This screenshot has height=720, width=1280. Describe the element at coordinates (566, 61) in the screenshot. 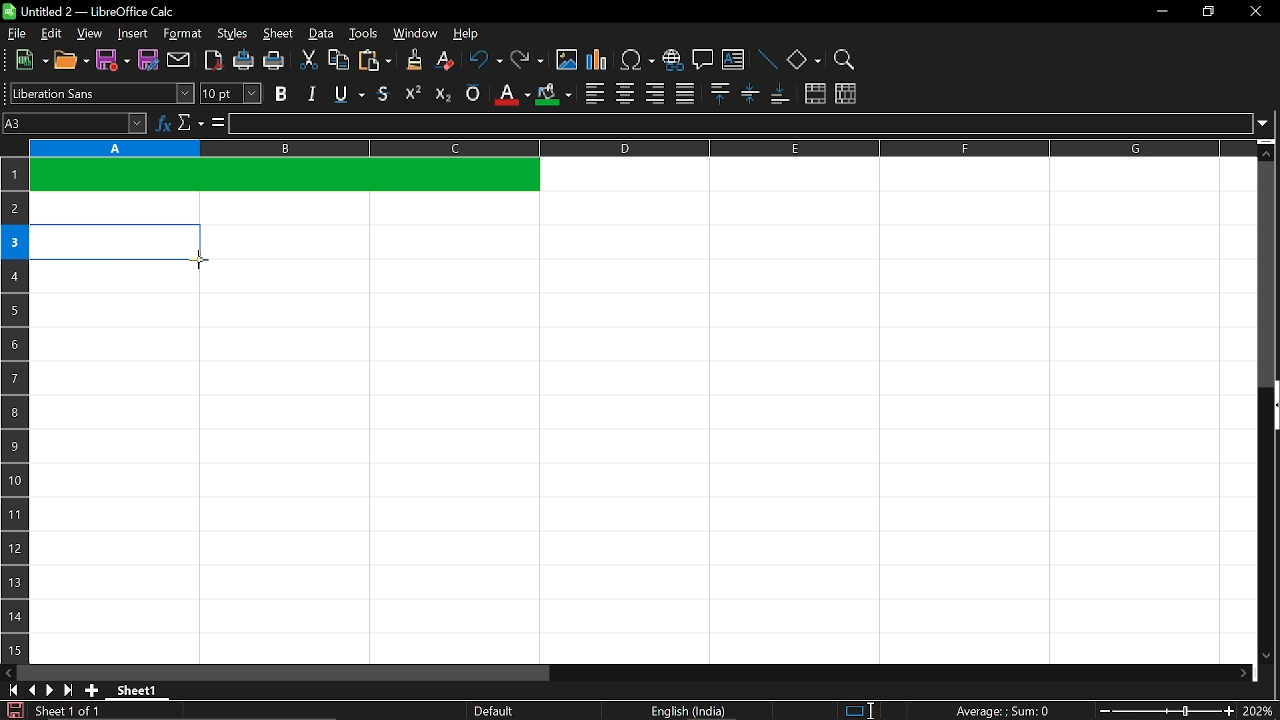

I see `insert image` at that location.